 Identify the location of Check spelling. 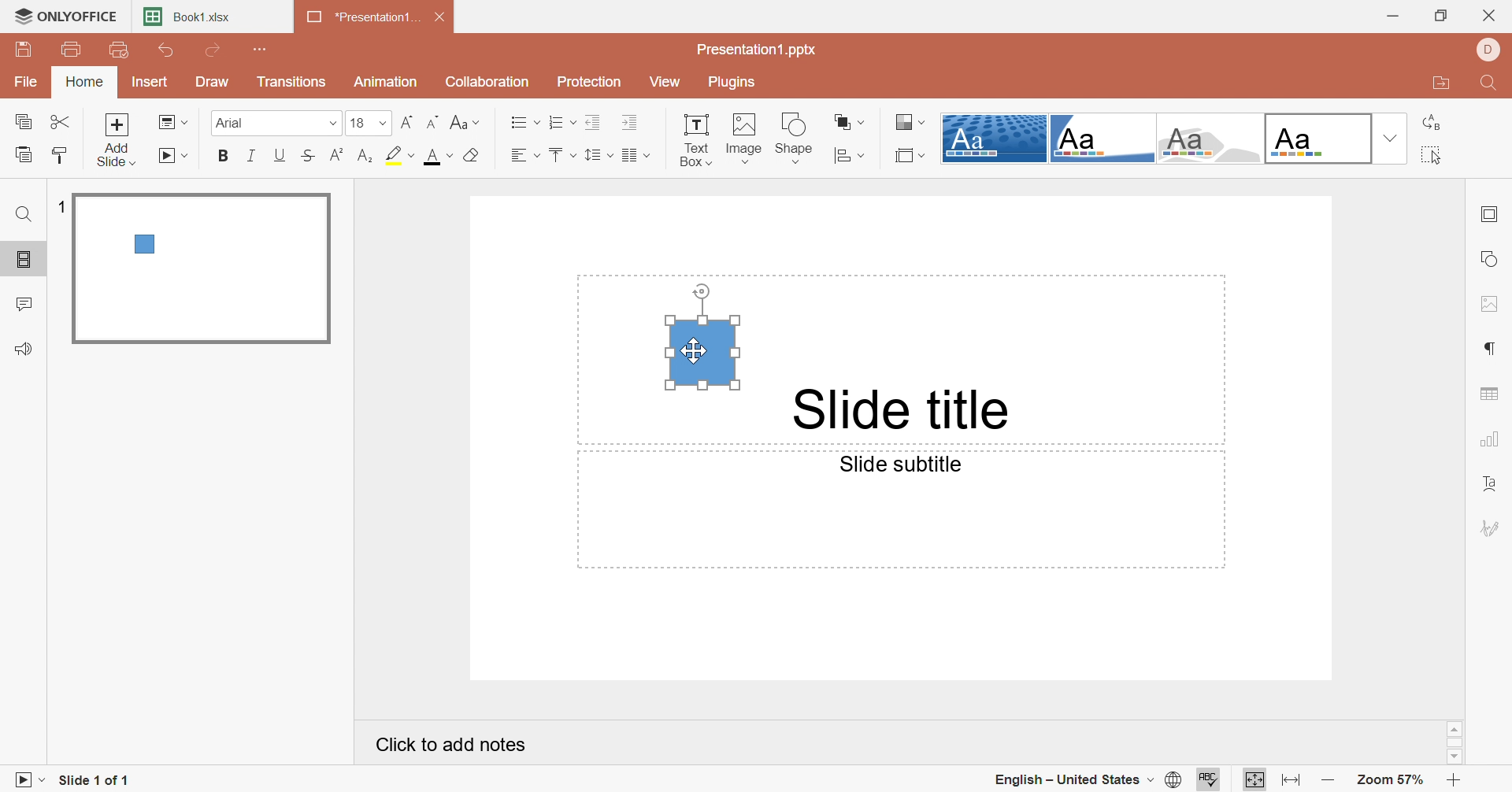
(1211, 780).